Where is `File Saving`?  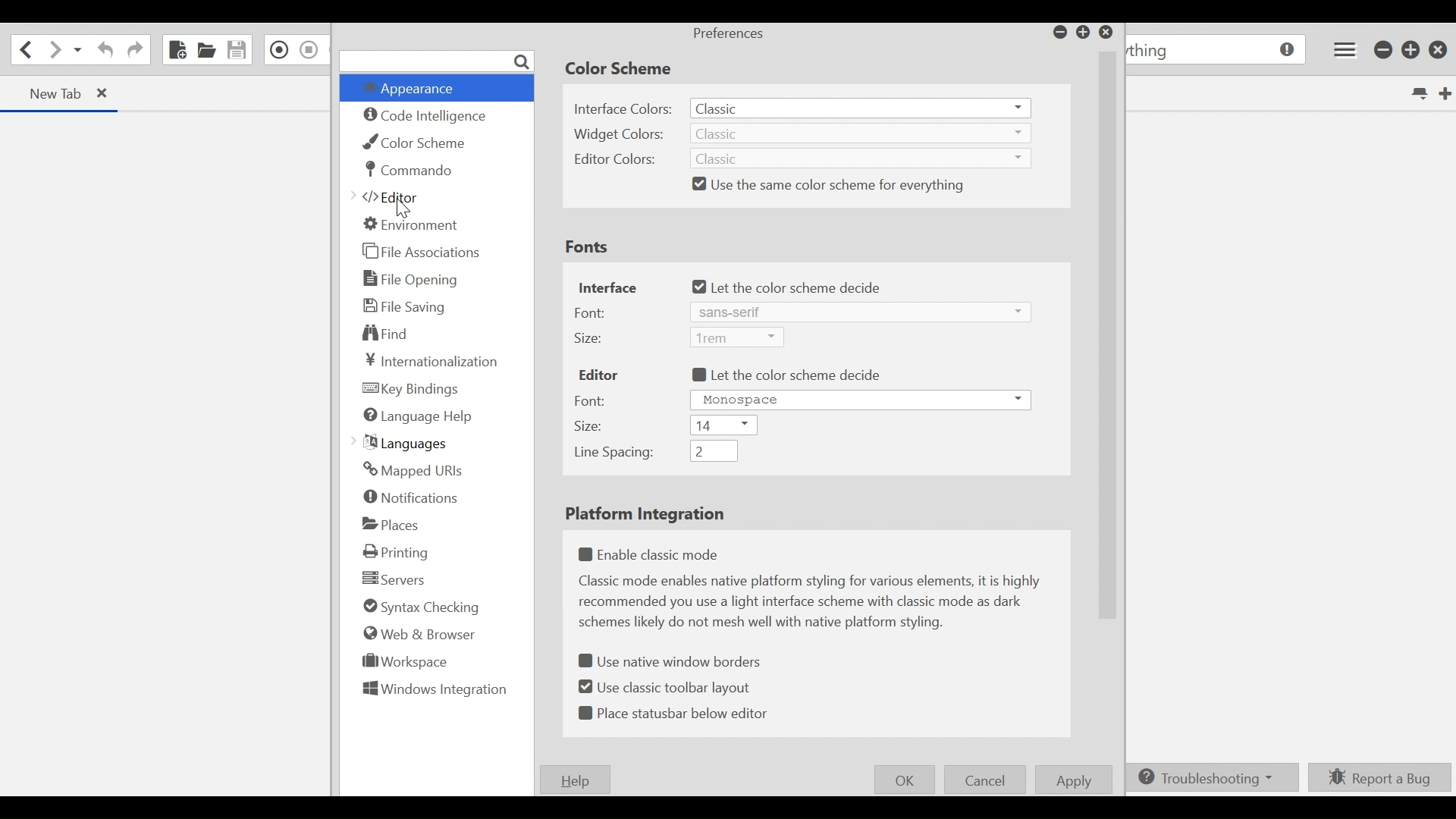
File Saving is located at coordinates (403, 306).